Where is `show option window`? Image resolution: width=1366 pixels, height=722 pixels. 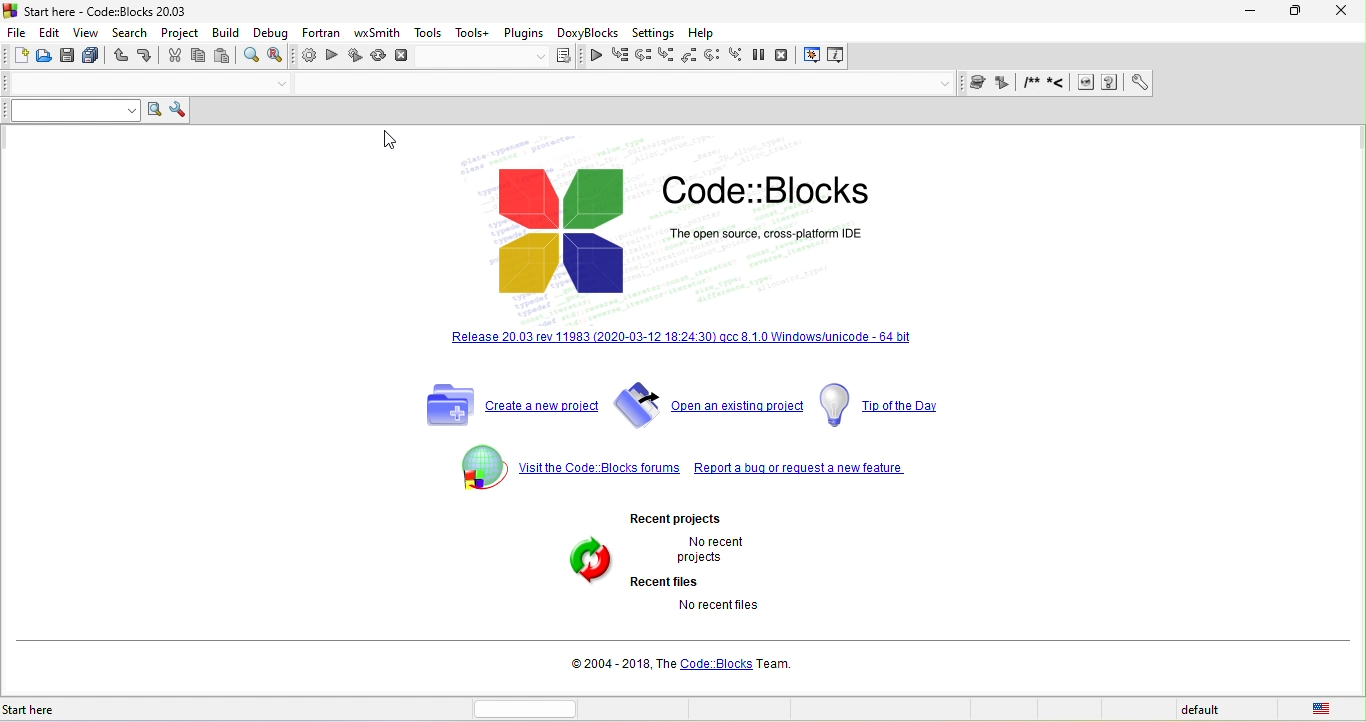
show option window is located at coordinates (181, 109).